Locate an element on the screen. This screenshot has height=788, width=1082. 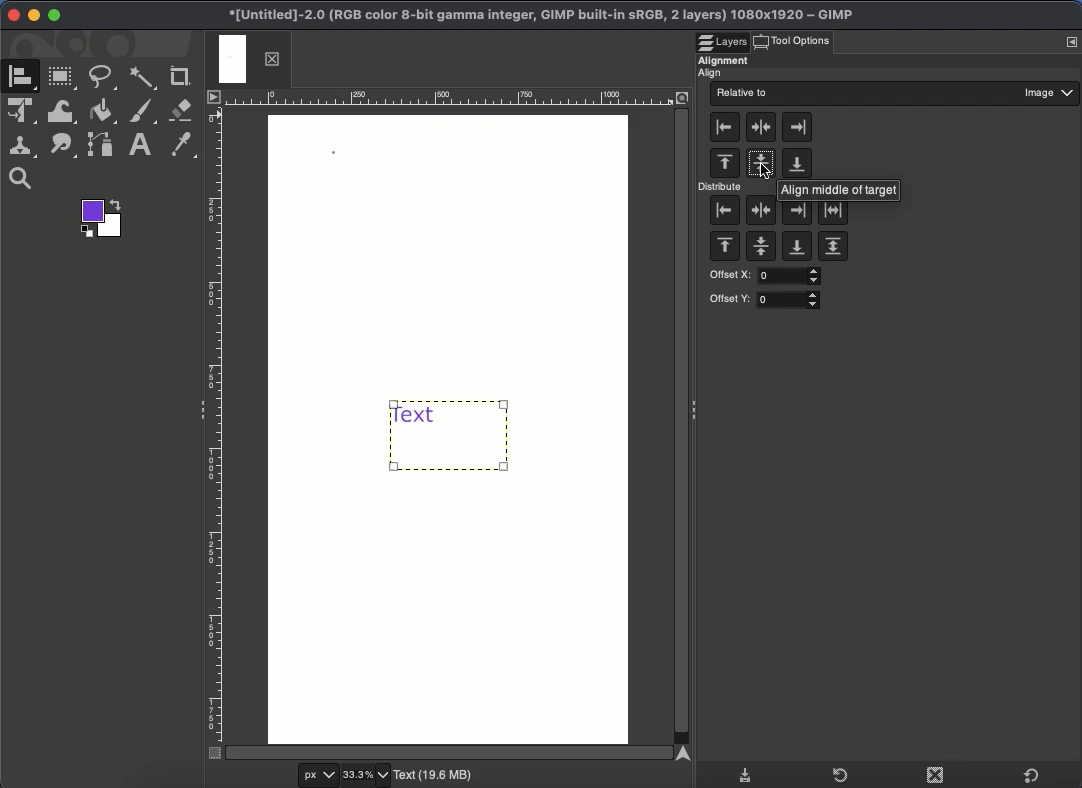
Align to the center - vertically is located at coordinates (762, 127).